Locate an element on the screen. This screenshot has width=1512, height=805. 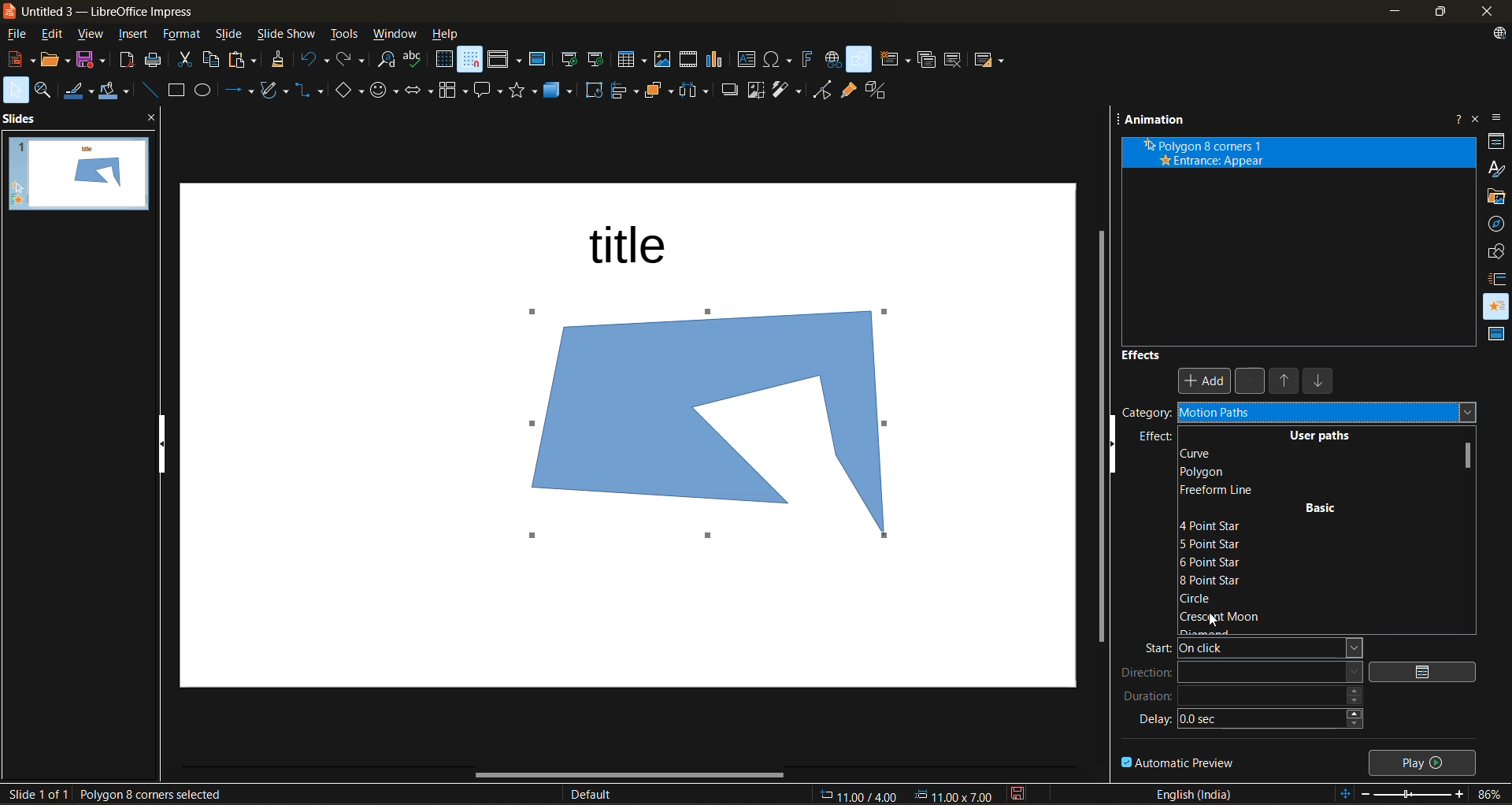
export as pdf is located at coordinates (125, 59).